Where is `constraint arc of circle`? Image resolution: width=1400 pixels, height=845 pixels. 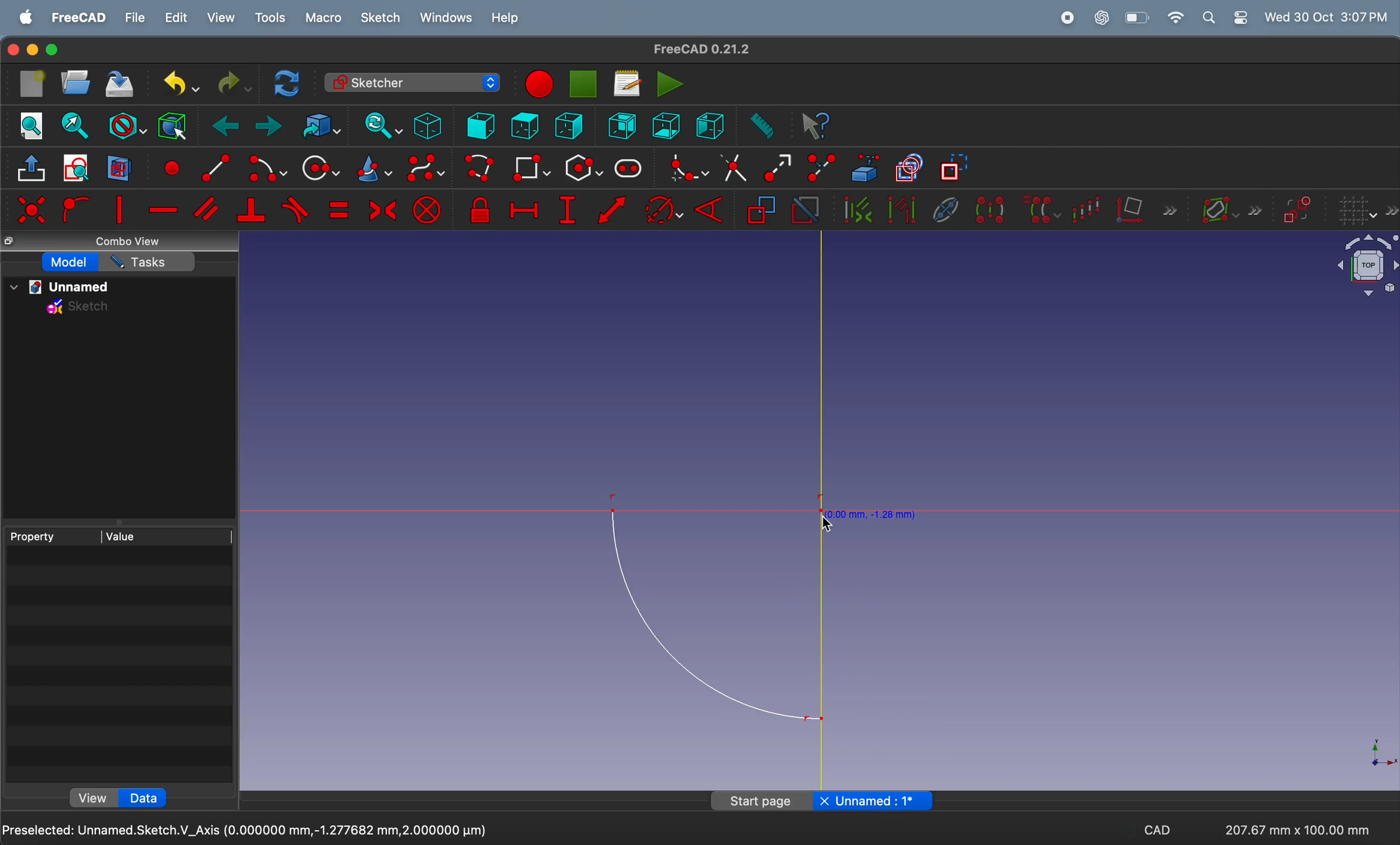
constraint arc of circle is located at coordinates (664, 210).